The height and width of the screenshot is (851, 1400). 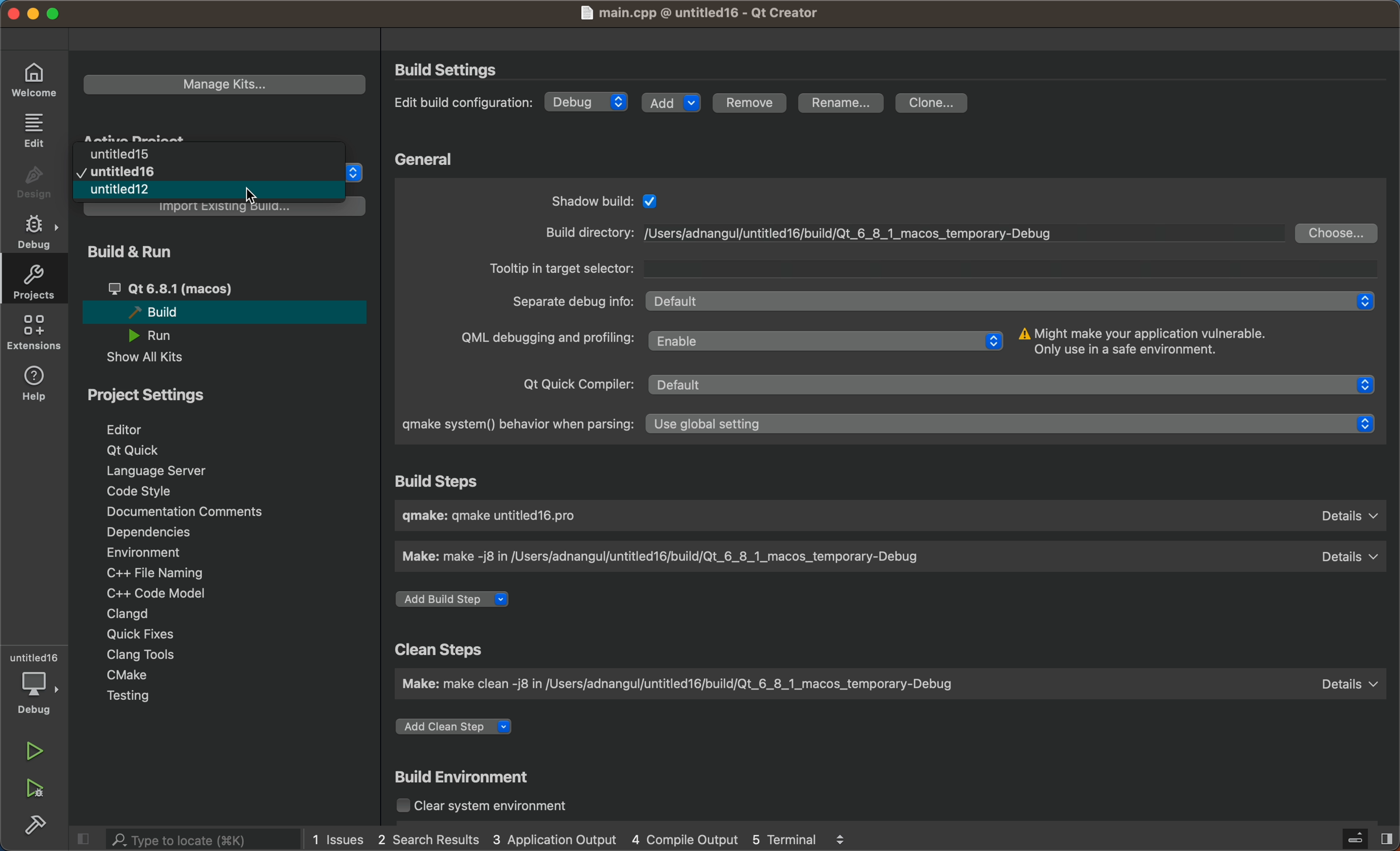 I want to click on help, so click(x=39, y=385).